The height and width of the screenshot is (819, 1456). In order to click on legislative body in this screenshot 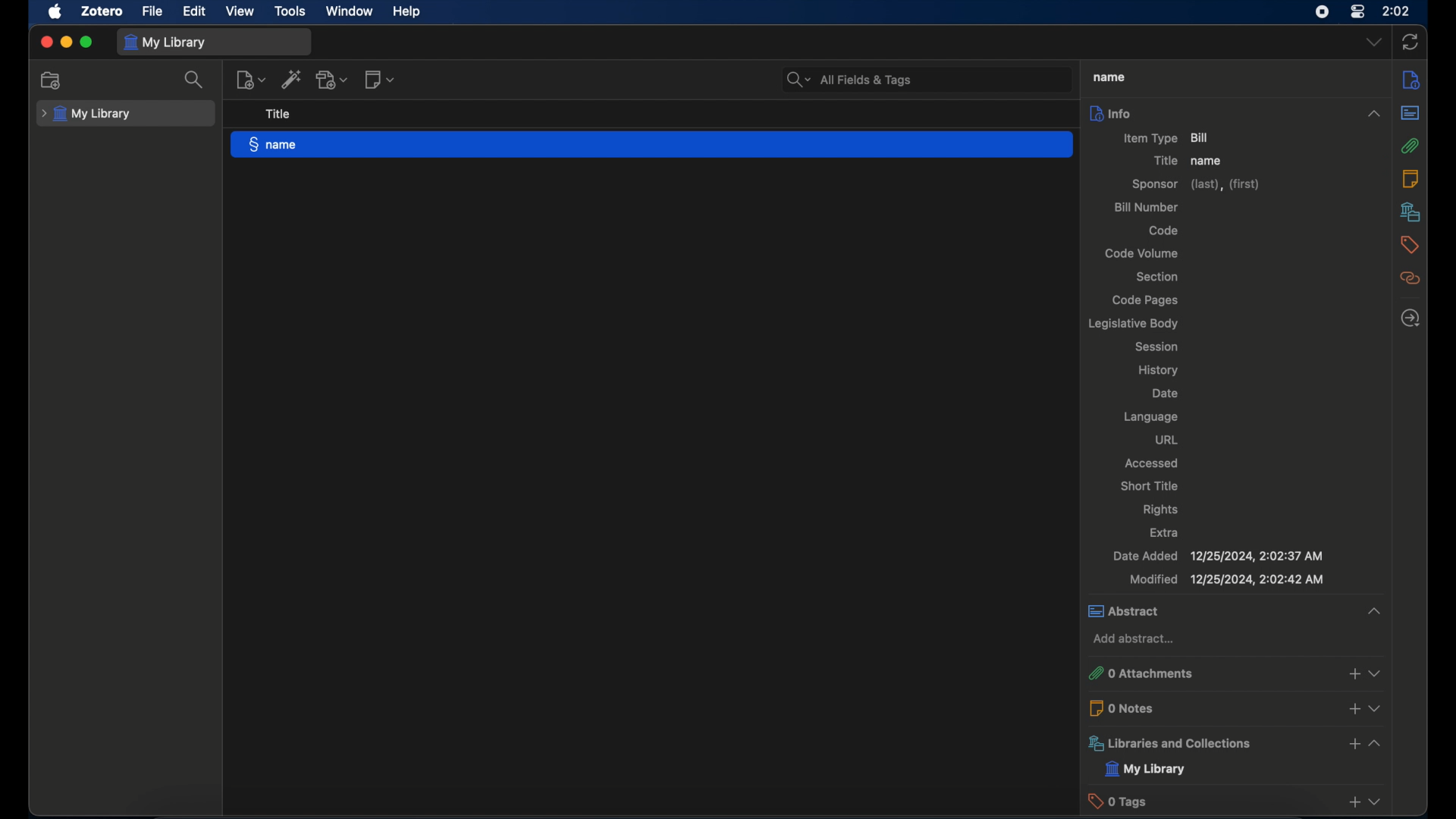, I will do `click(1131, 324)`.